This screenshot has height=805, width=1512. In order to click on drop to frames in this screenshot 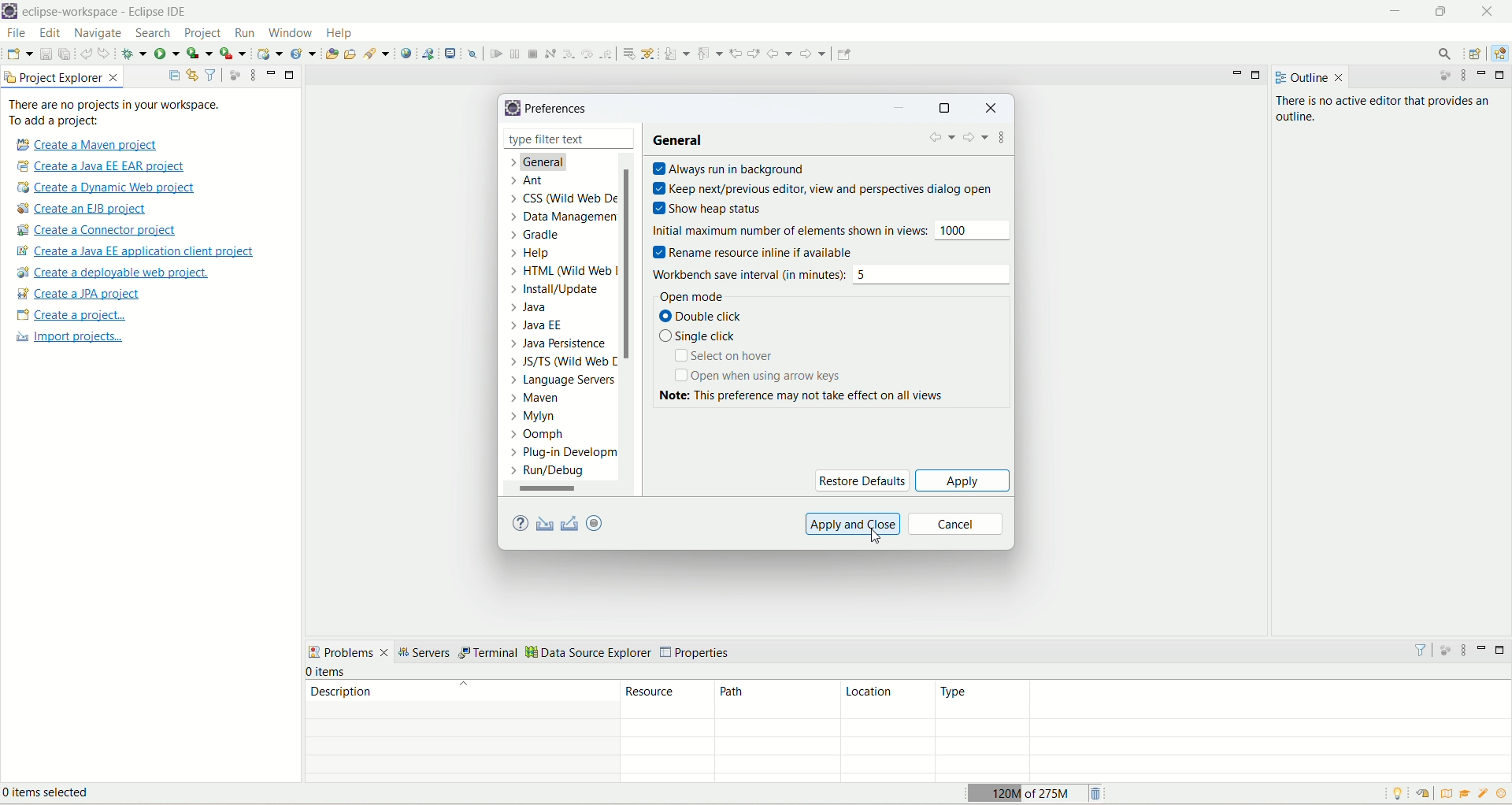, I will do `click(626, 53)`.